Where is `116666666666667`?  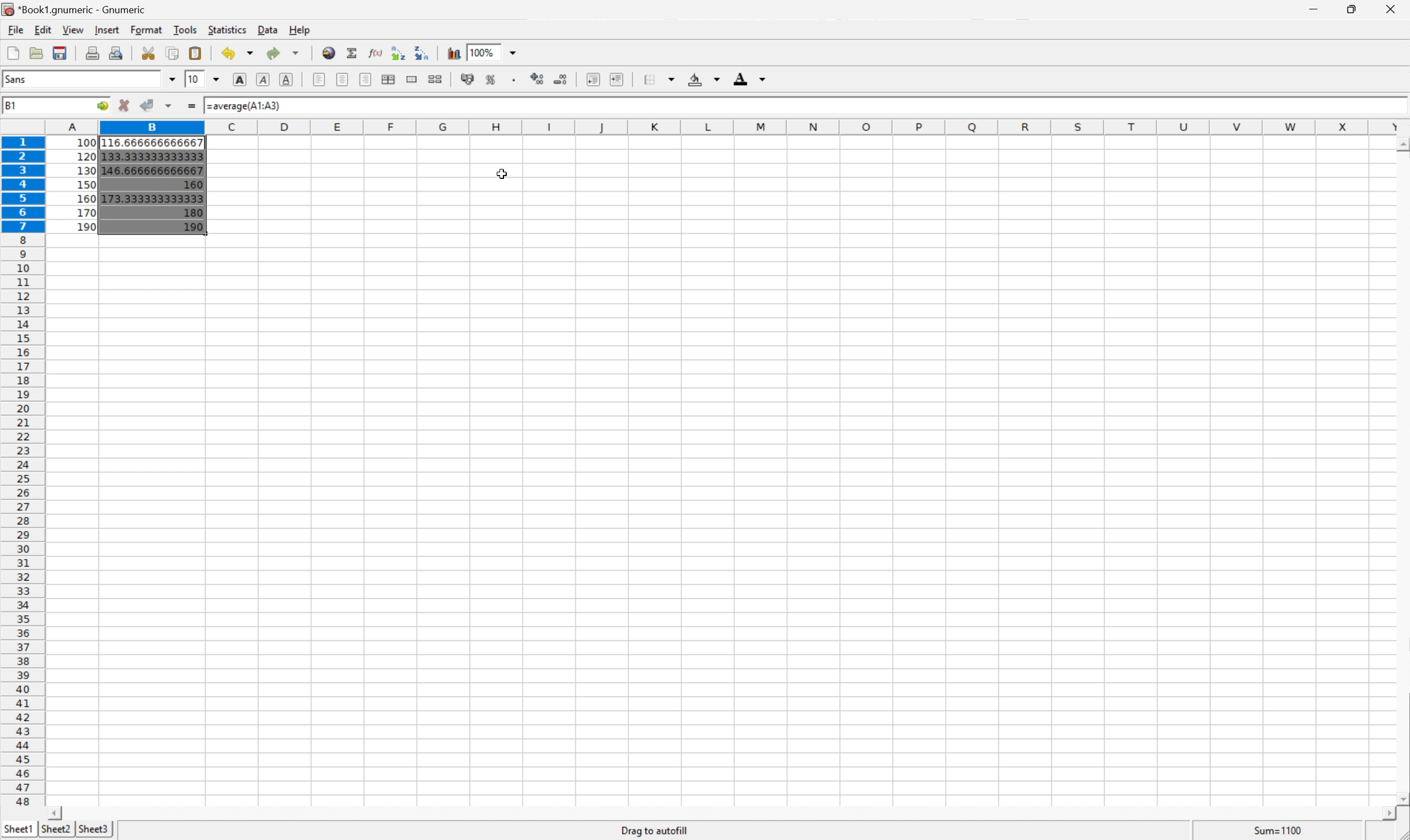 116666666666667 is located at coordinates (153, 141).